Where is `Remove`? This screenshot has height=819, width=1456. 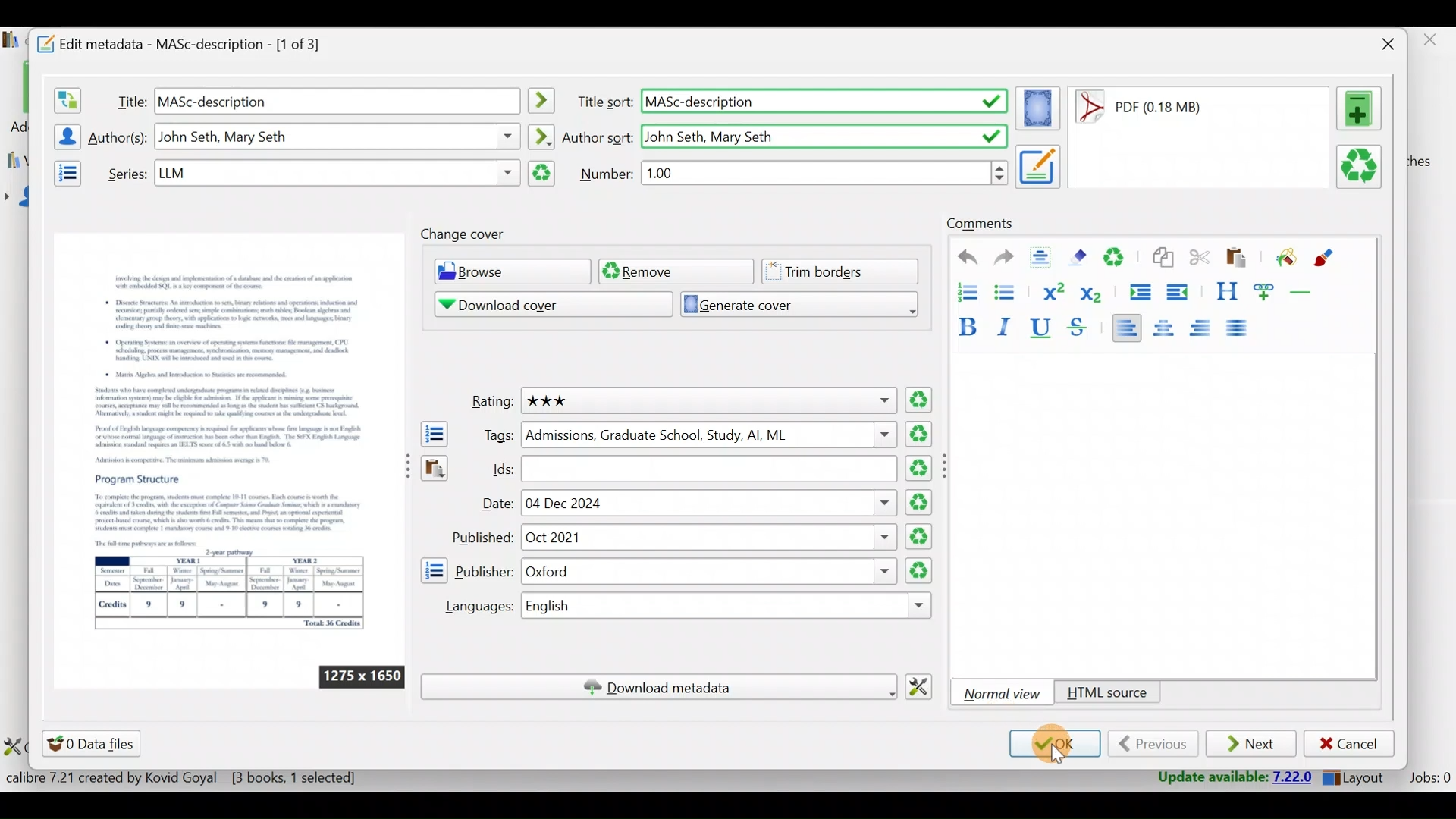 Remove is located at coordinates (674, 271).